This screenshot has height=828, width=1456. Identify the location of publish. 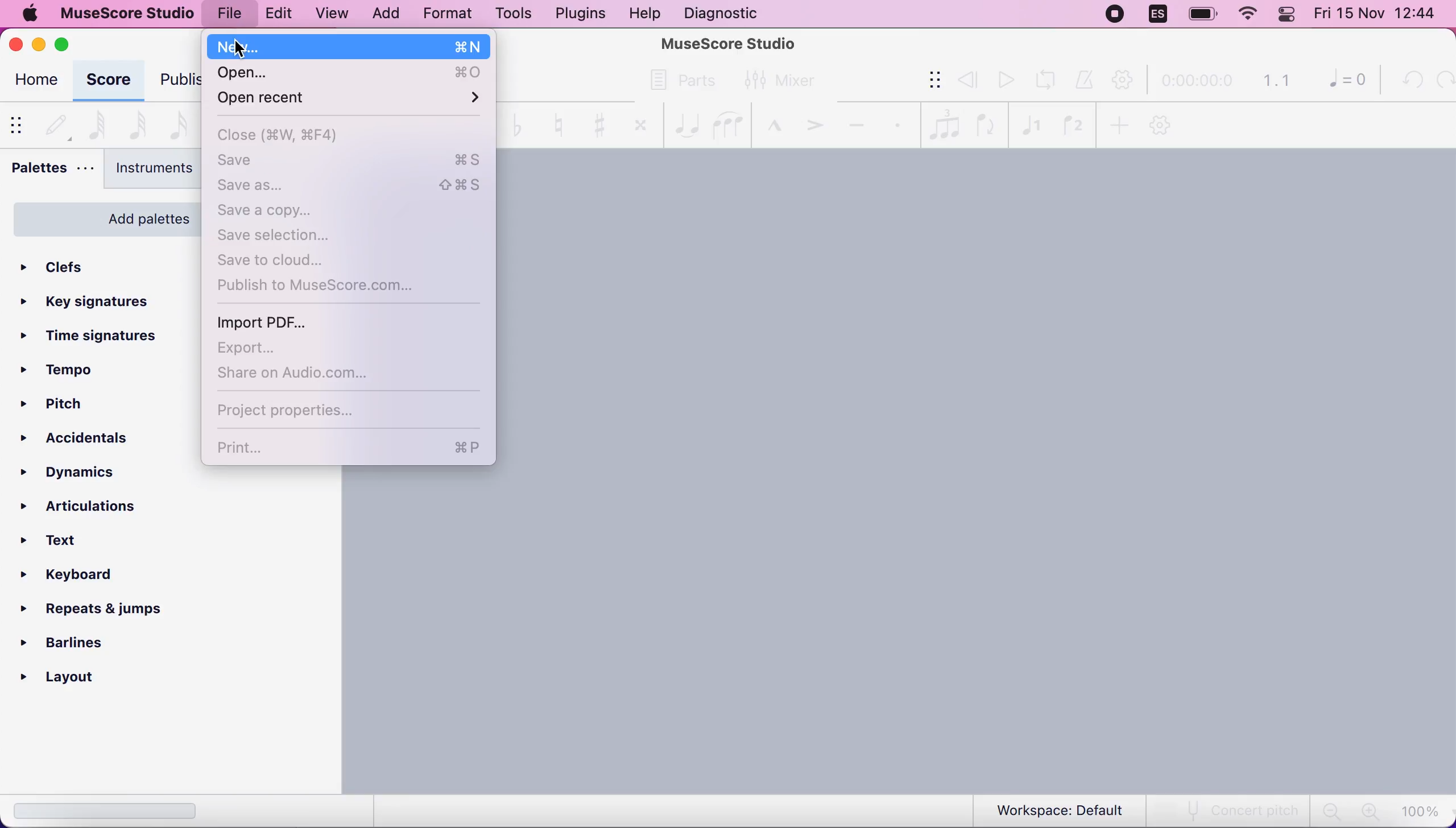
(176, 79).